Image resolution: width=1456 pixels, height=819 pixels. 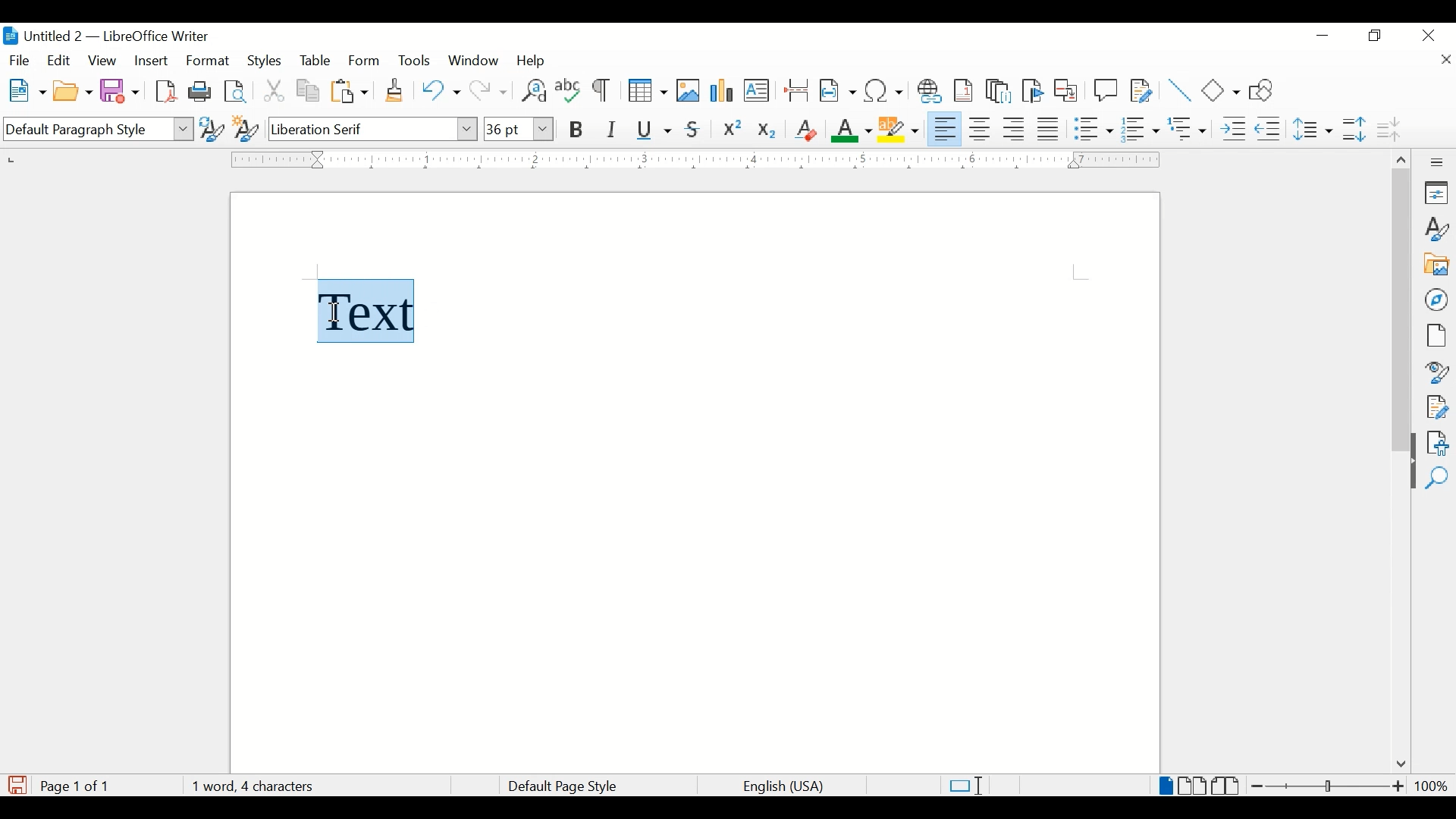 I want to click on superscript, so click(x=733, y=130).